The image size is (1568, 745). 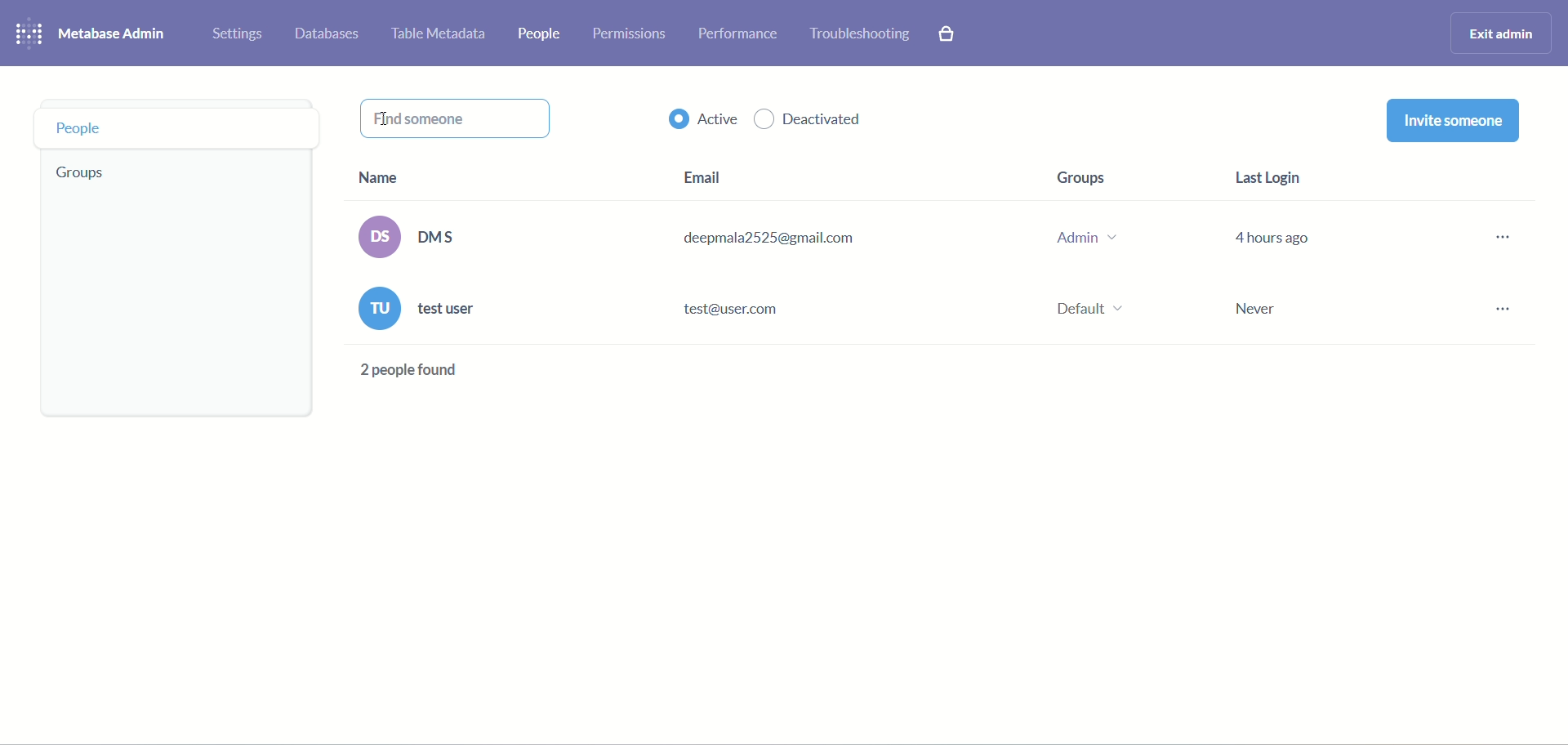 What do you see at coordinates (454, 117) in the screenshot?
I see `find someone` at bounding box center [454, 117].